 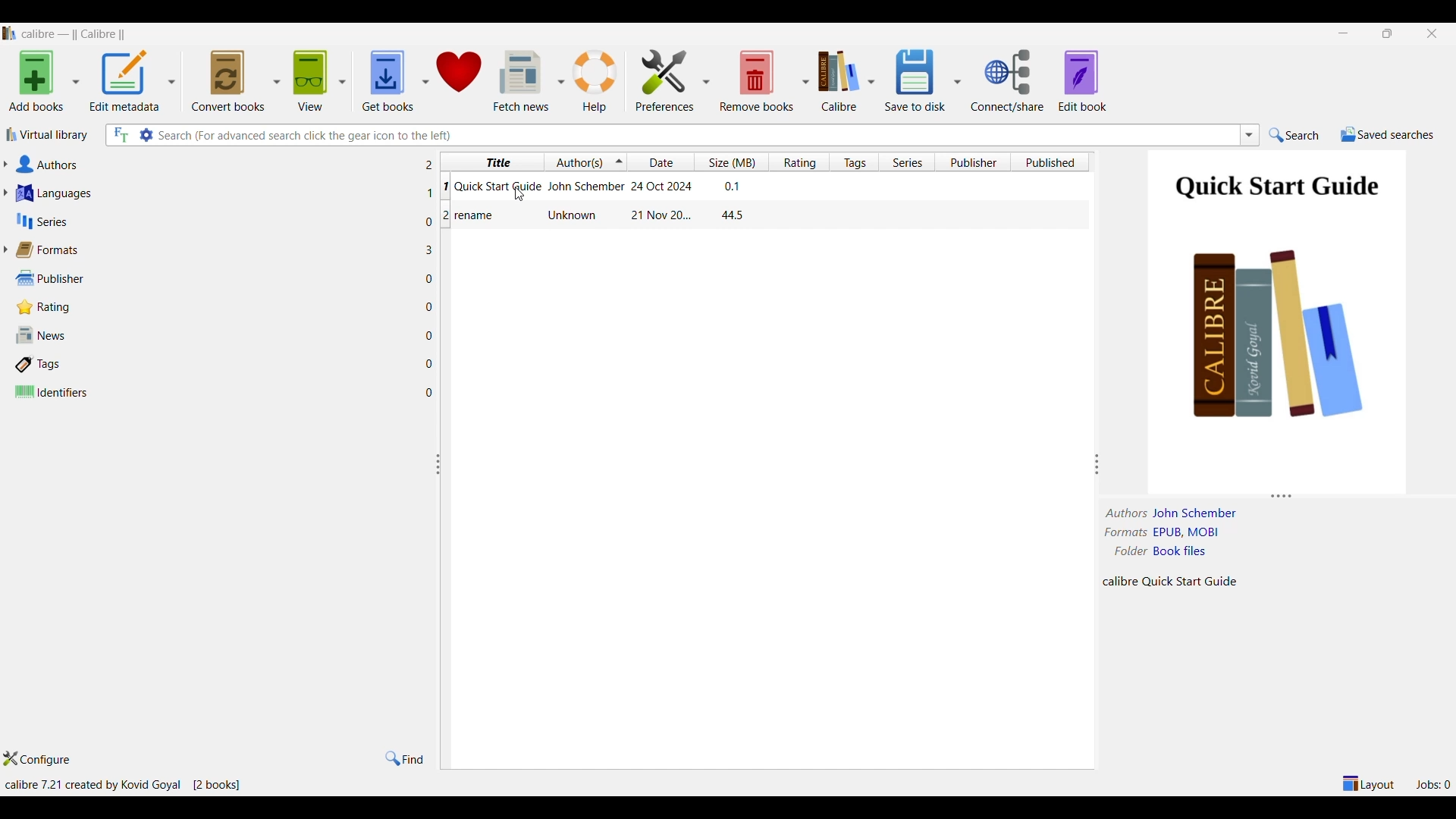 What do you see at coordinates (798, 162) in the screenshot?
I see `Rating column` at bounding box center [798, 162].